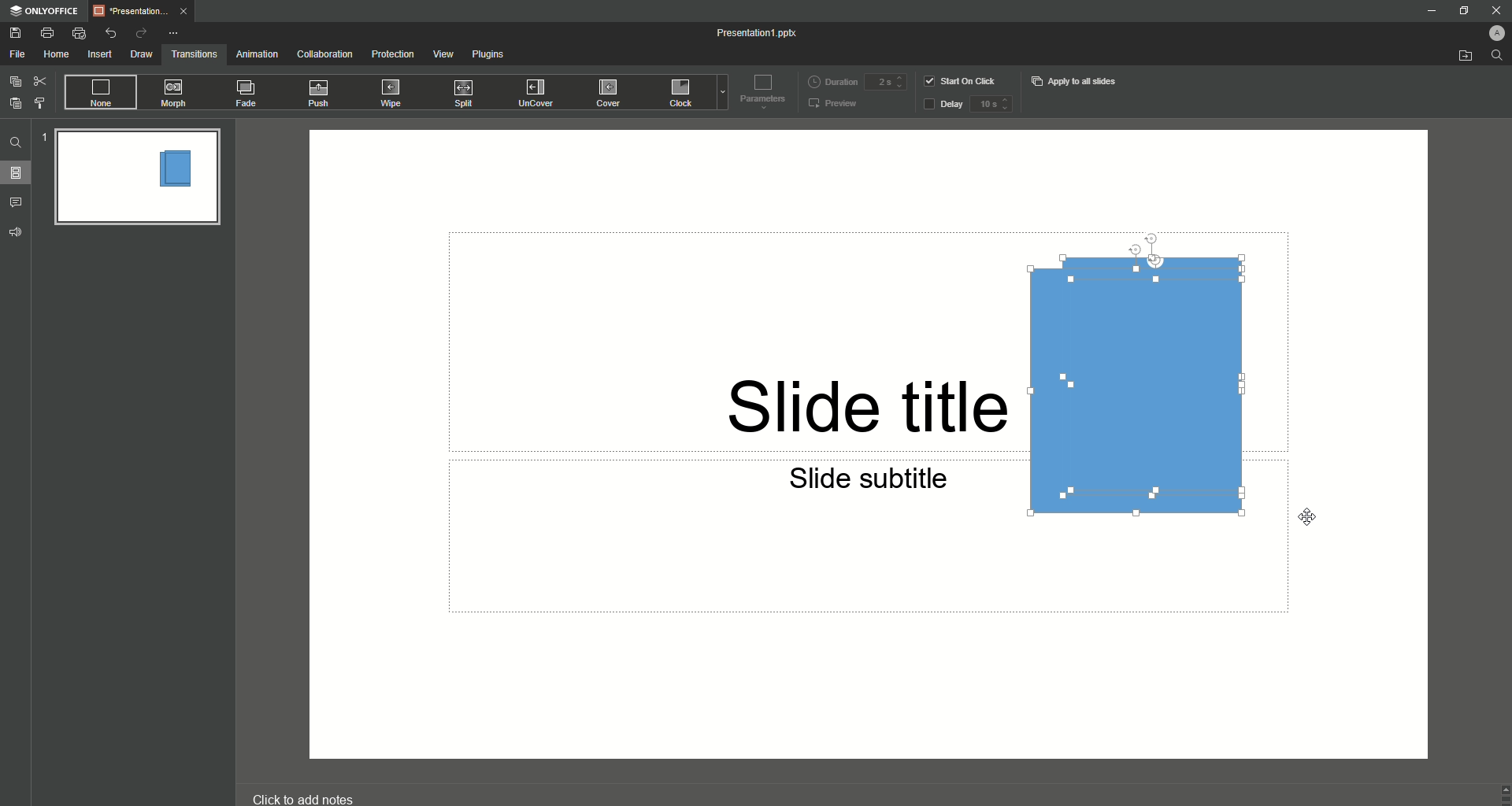  What do you see at coordinates (720, 94) in the screenshot?
I see `dropdown` at bounding box center [720, 94].